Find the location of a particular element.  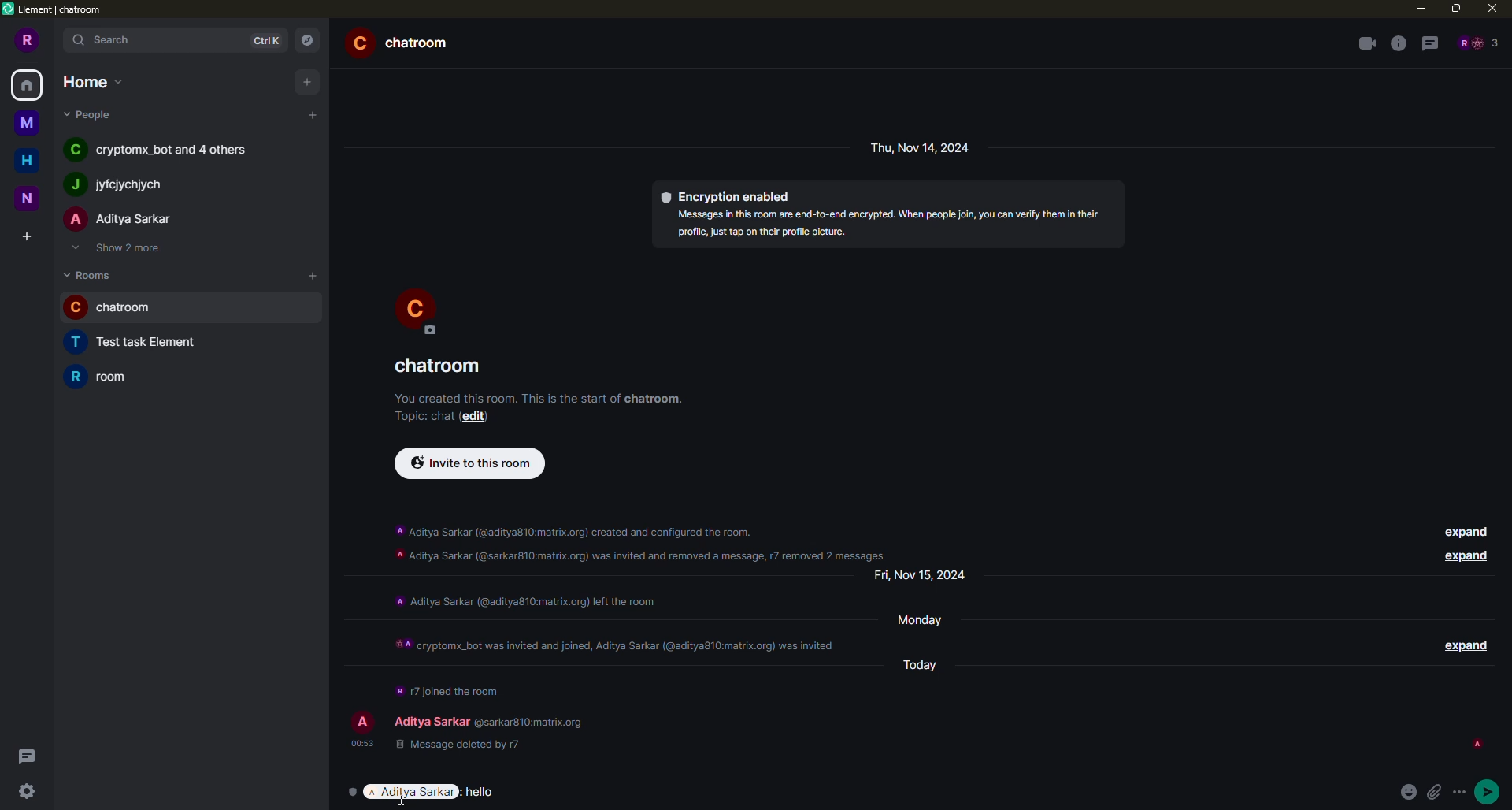

day is located at coordinates (928, 663).